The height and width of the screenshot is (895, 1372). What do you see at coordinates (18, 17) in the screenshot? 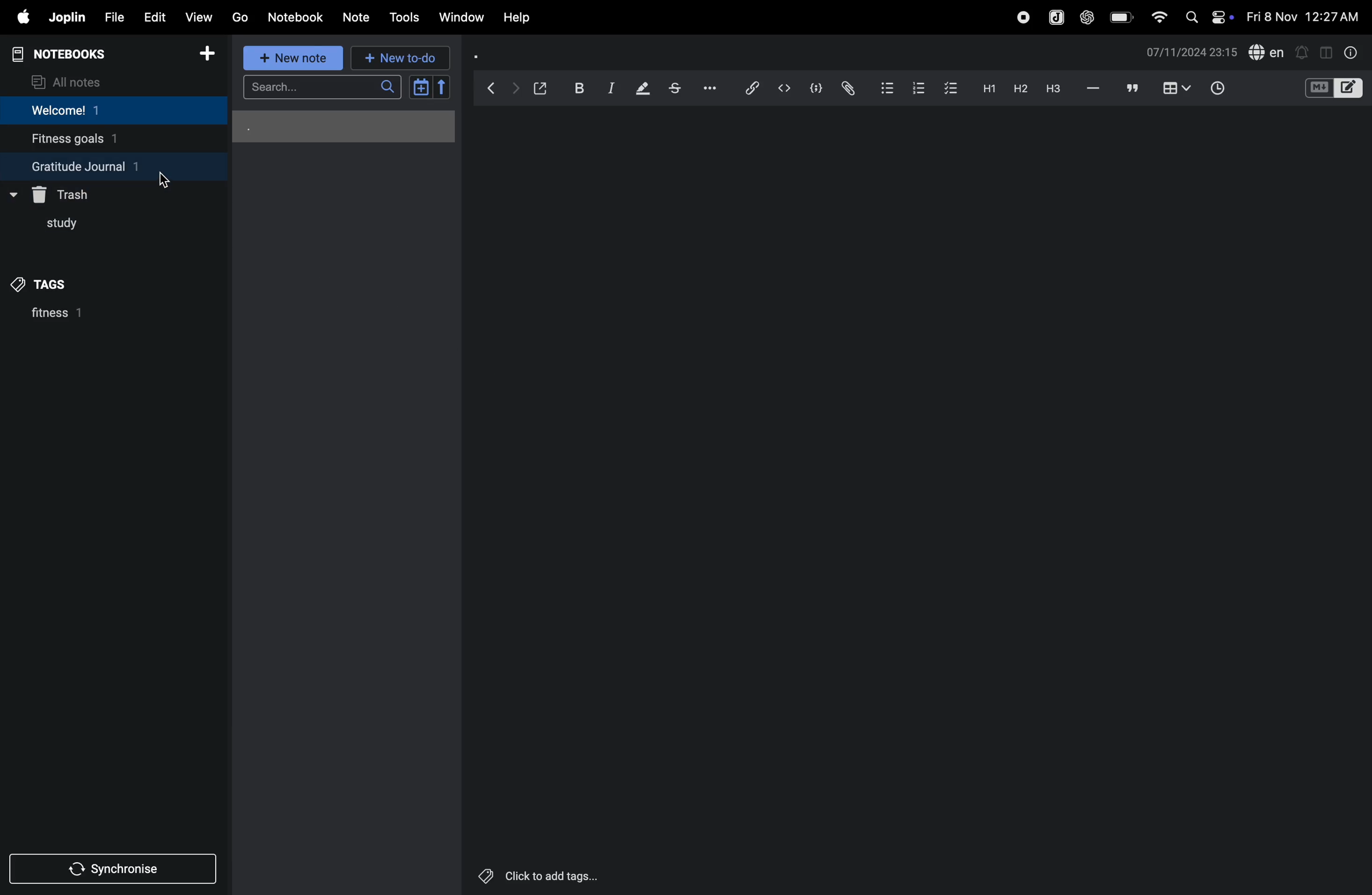
I see `apple menu` at bounding box center [18, 17].